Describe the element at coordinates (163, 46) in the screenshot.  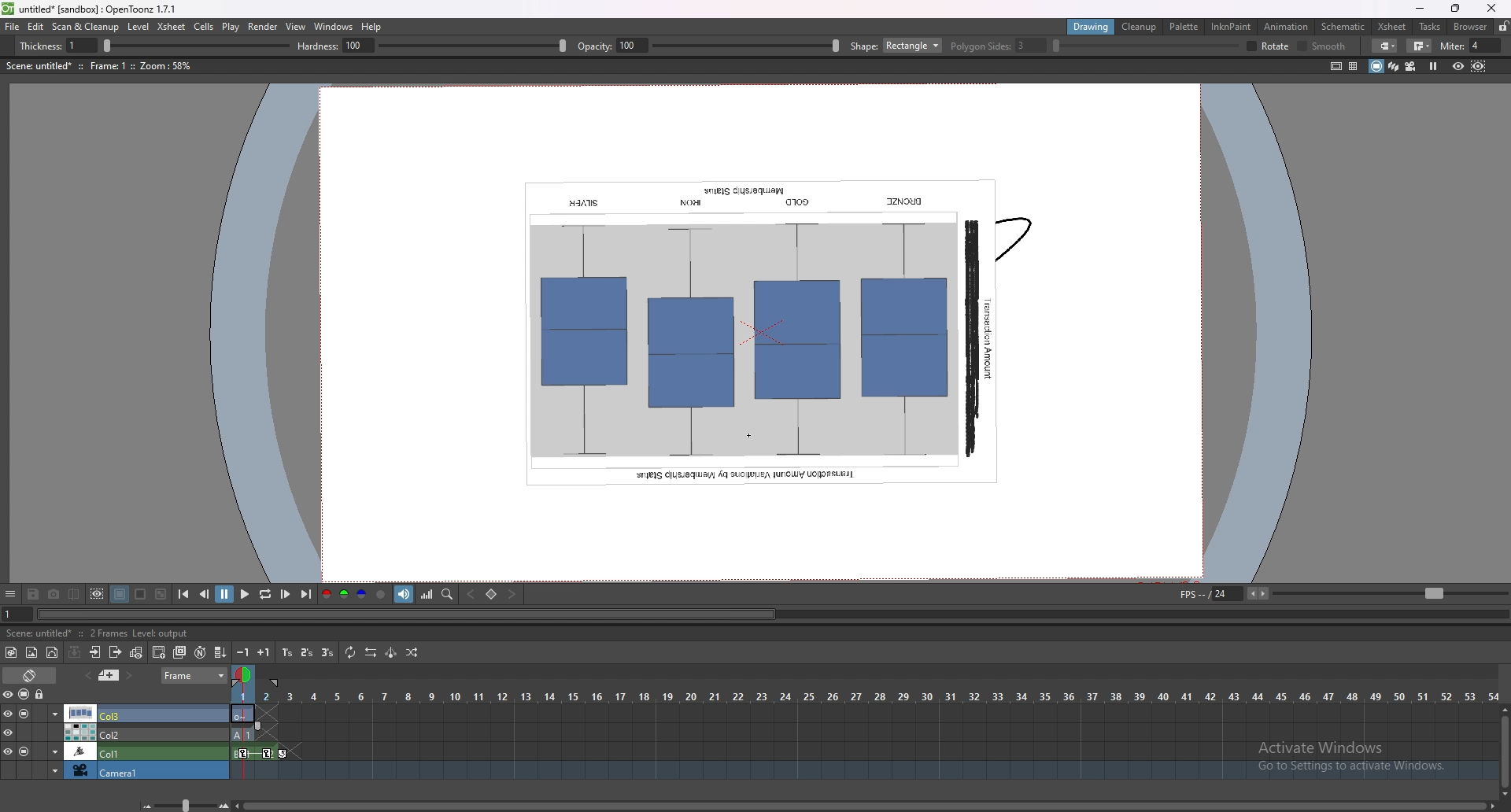
I see `thickness` at that location.